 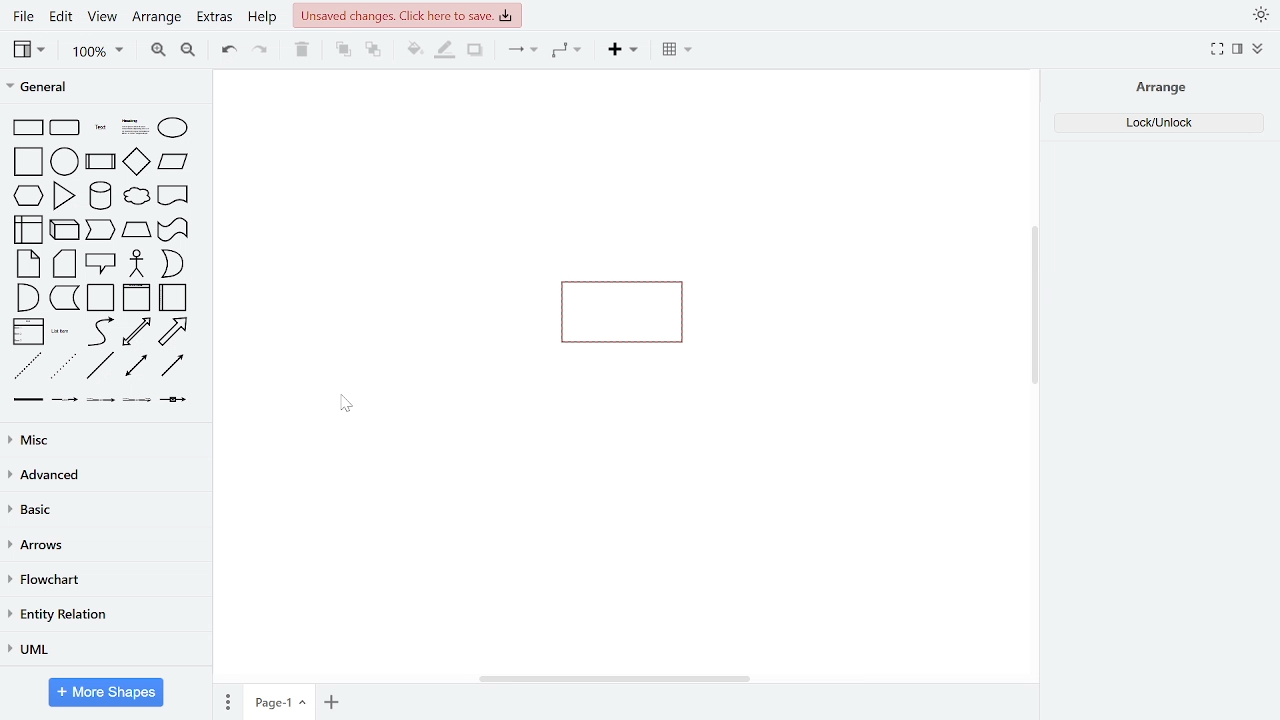 What do you see at coordinates (101, 230) in the screenshot?
I see `cube` at bounding box center [101, 230].